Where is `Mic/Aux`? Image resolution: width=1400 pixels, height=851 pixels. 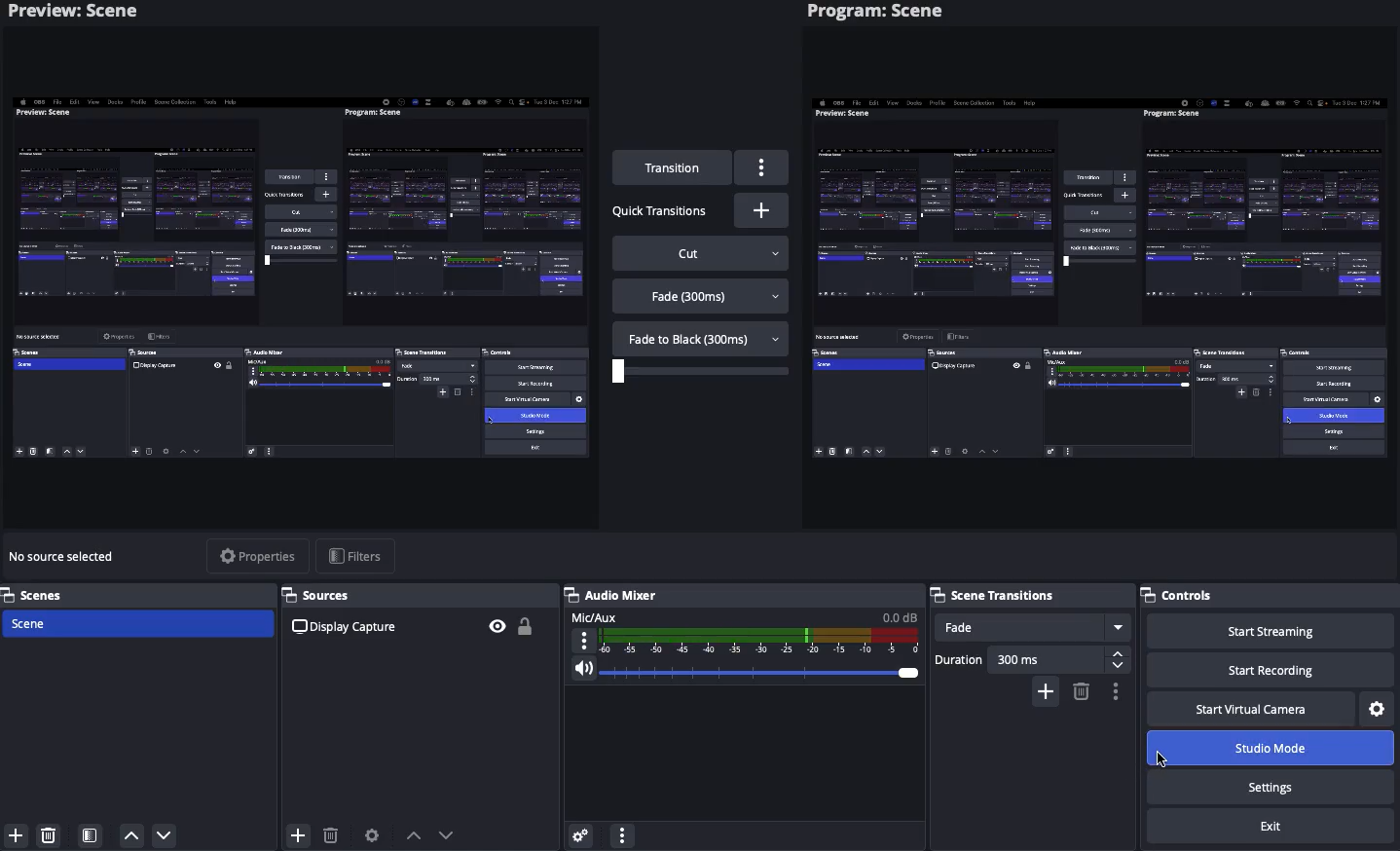 Mic/Aux is located at coordinates (742, 634).